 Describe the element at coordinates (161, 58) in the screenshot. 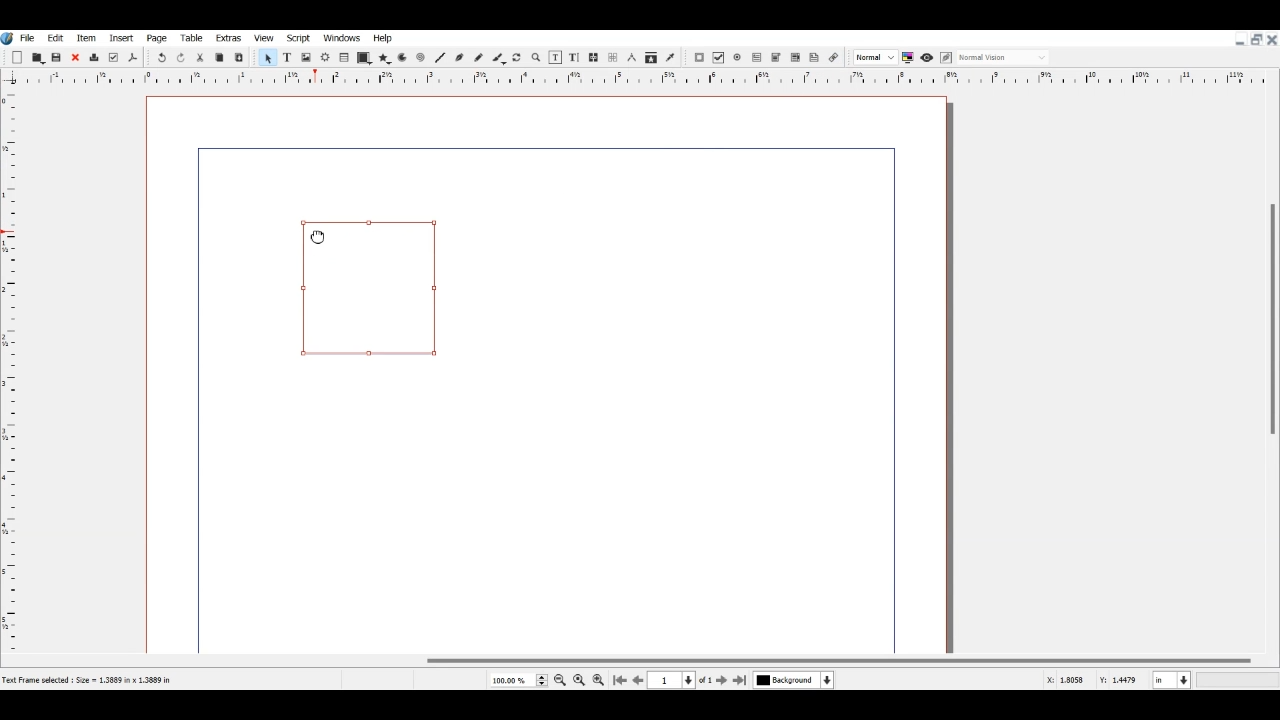

I see `Undo` at that location.